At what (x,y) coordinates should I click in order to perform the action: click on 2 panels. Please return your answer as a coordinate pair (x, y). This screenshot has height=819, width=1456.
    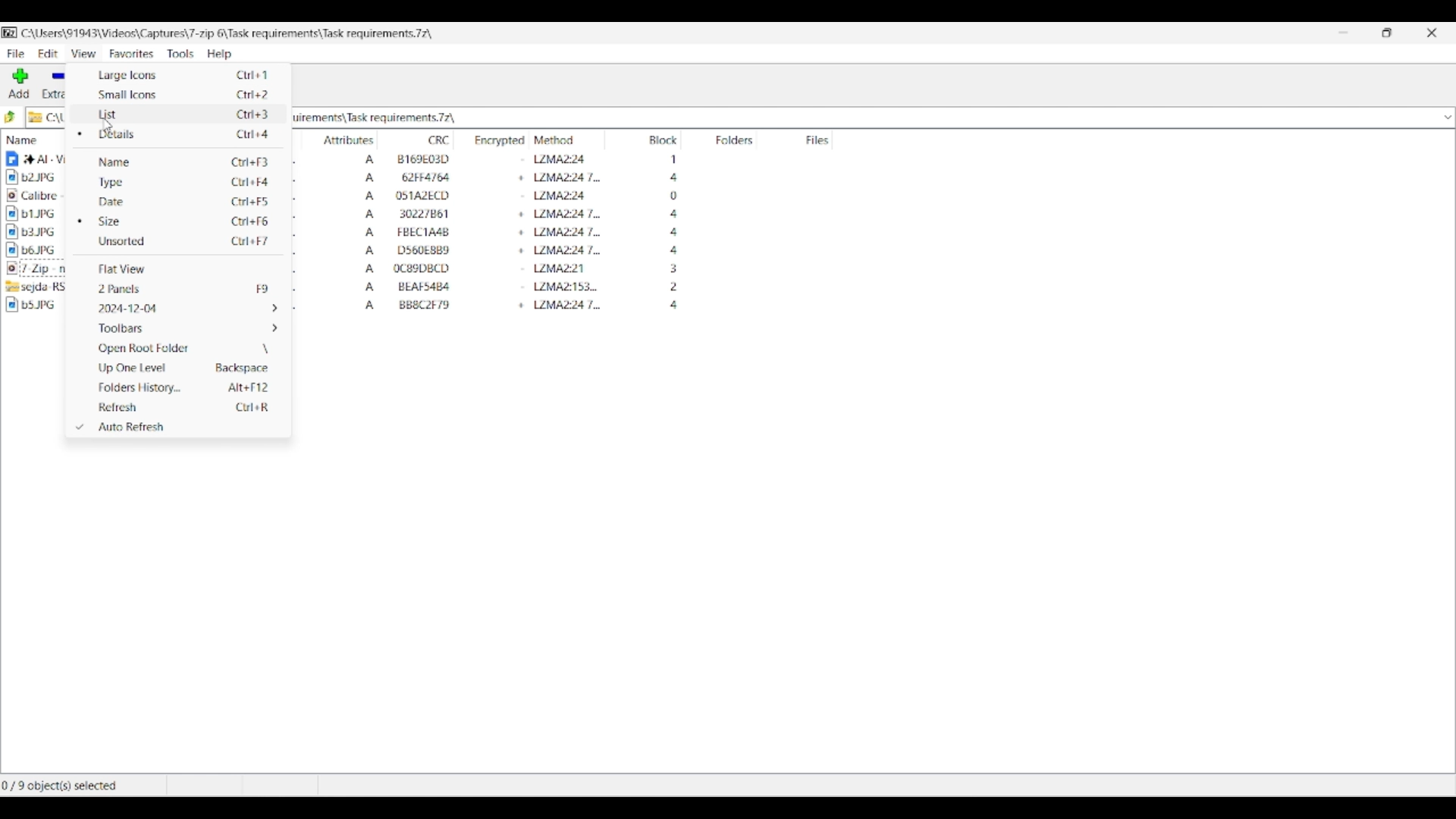
    Looking at the image, I should click on (183, 288).